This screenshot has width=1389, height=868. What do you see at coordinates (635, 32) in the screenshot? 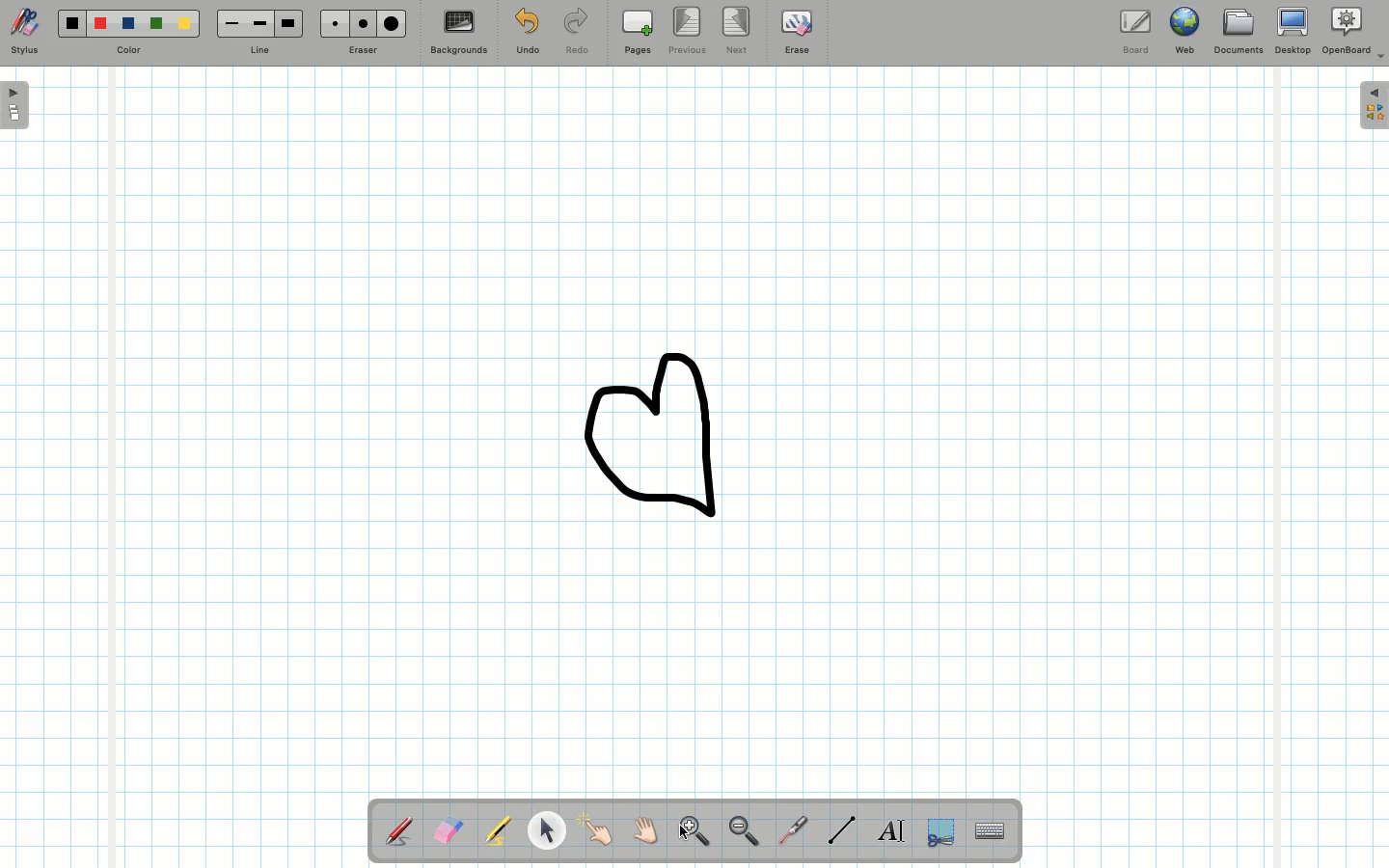
I see `Pages (add)` at bounding box center [635, 32].